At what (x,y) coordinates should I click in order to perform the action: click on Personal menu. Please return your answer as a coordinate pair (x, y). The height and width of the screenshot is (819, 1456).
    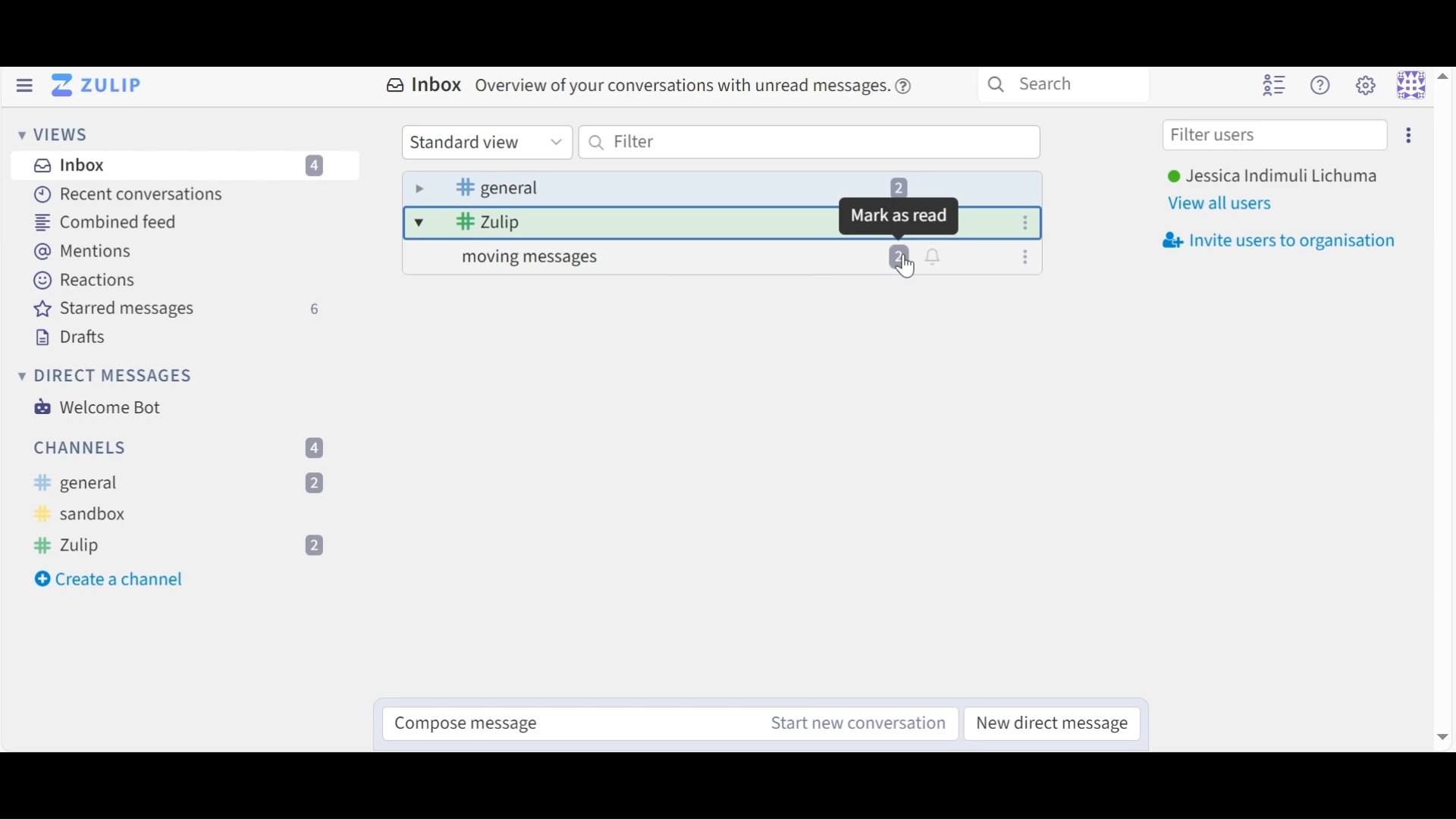
    Looking at the image, I should click on (1409, 86).